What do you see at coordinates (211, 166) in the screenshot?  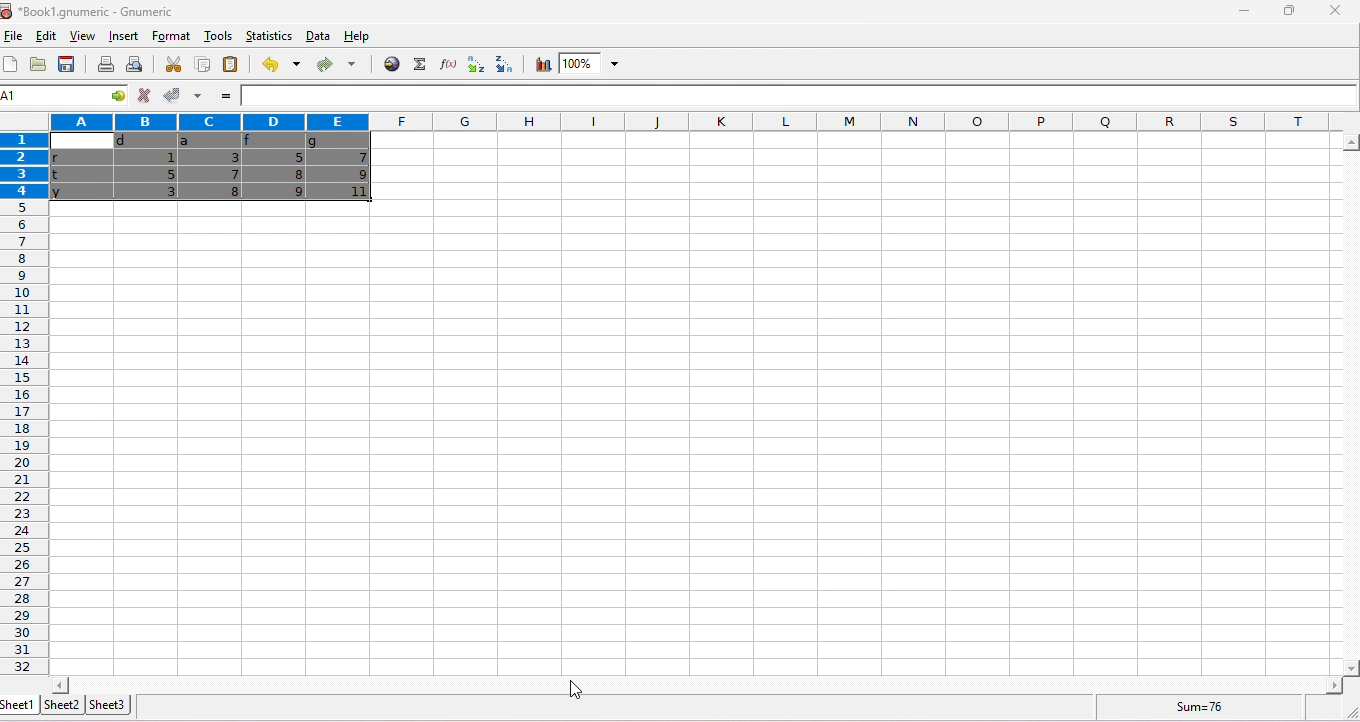 I see `dragged` at bounding box center [211, 166].